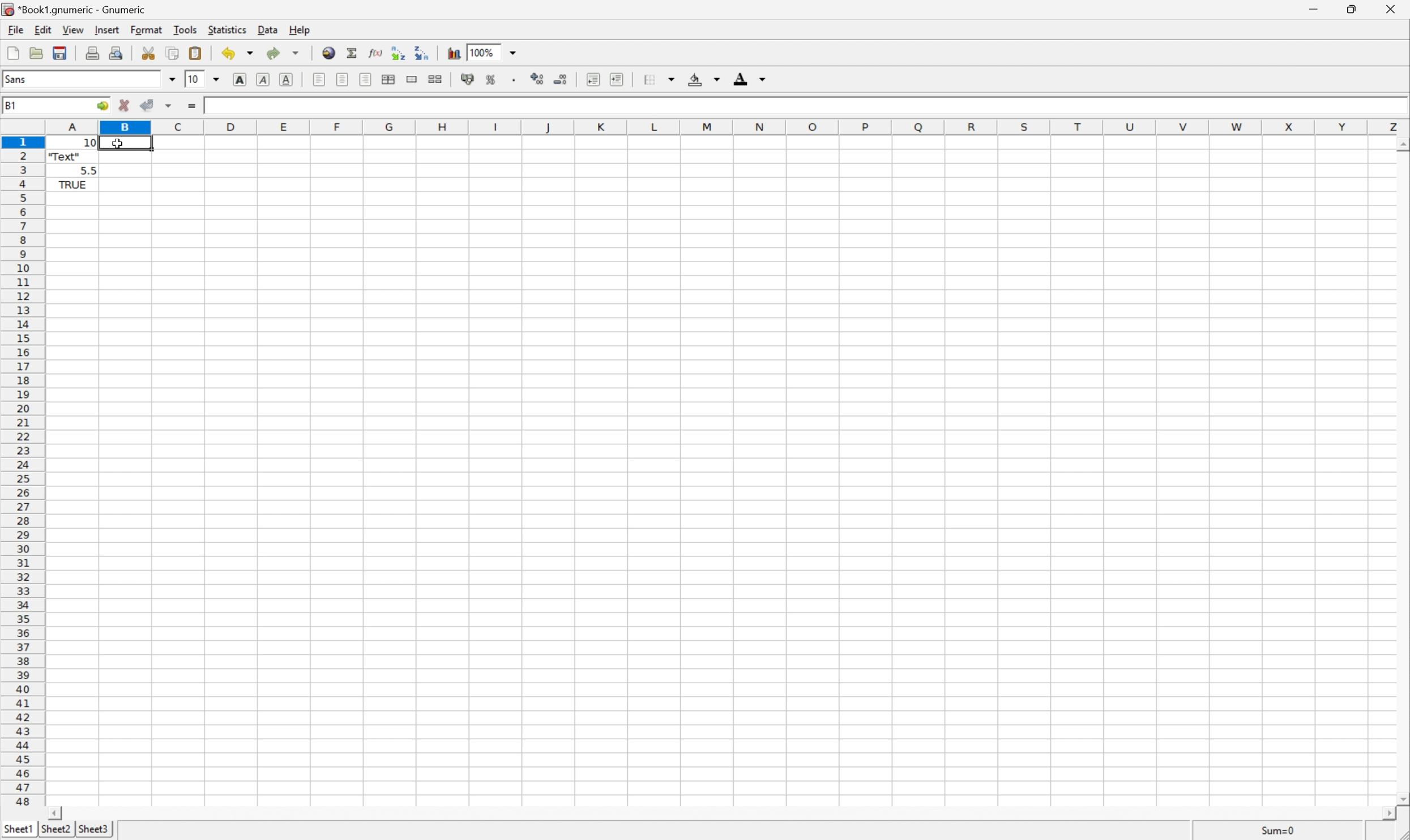 The image size is (1410, 840). Describe the element at coordinates (266, 29) in the screenshot. I see `Data` at that location.